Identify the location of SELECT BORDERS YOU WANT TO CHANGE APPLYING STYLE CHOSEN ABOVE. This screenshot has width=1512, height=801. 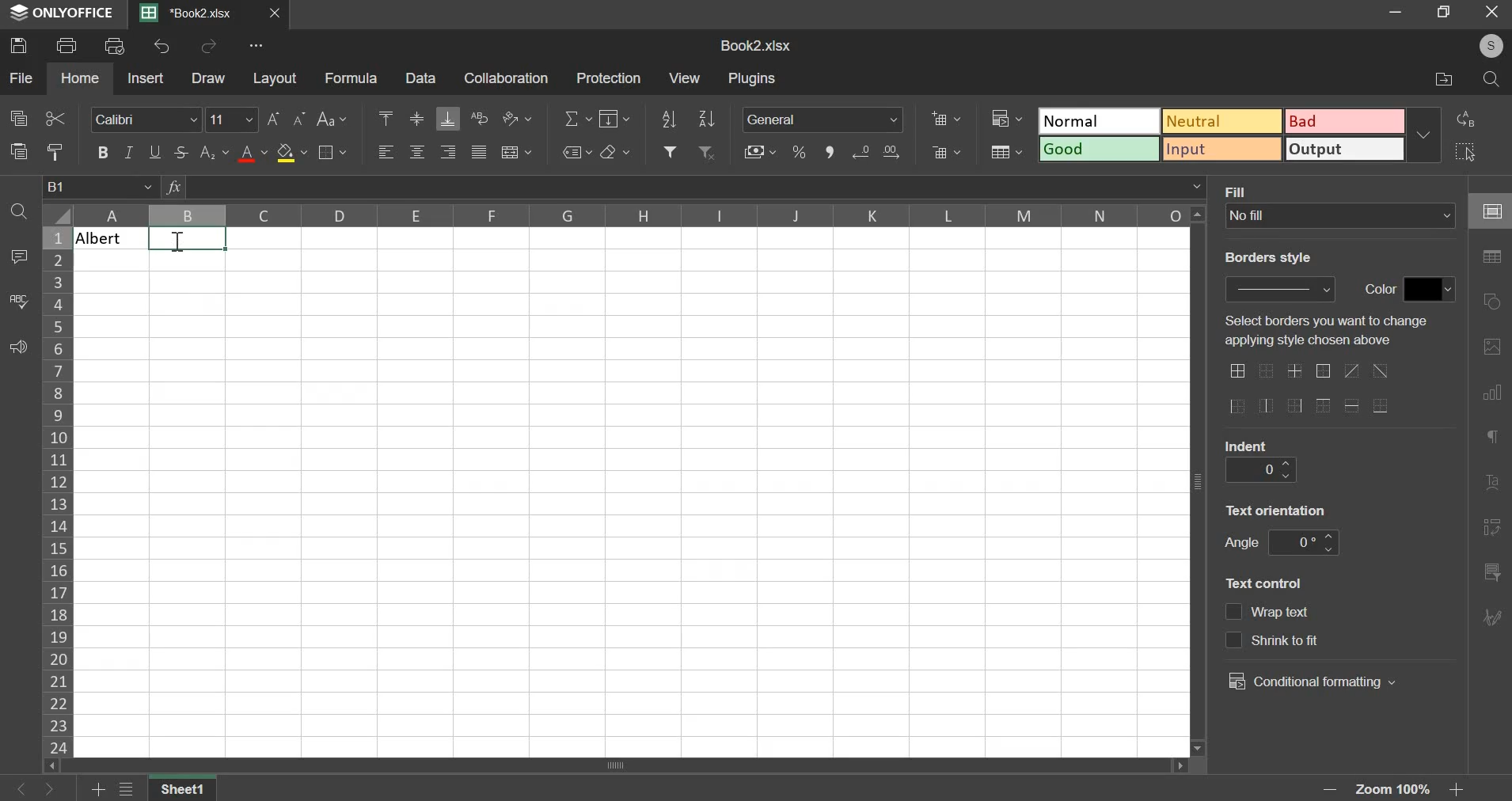
(1324, 331).